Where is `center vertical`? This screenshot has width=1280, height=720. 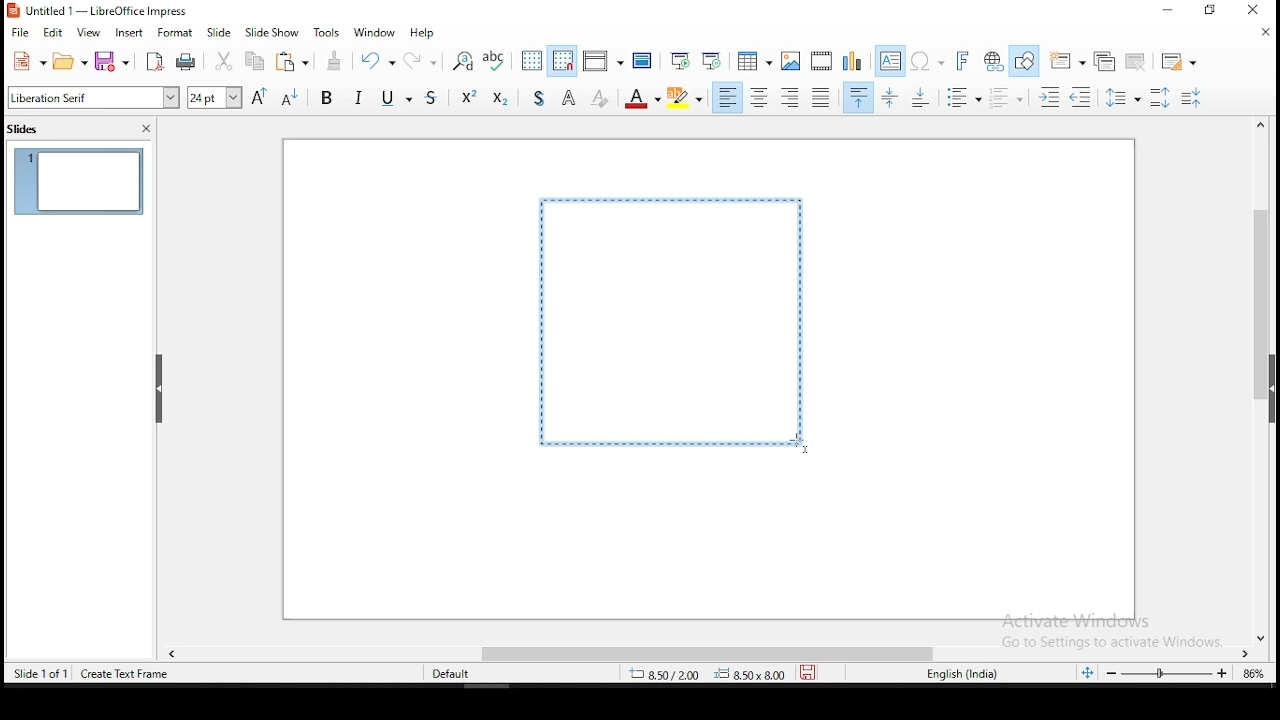
center vertical is located at coordinates (892, 99).